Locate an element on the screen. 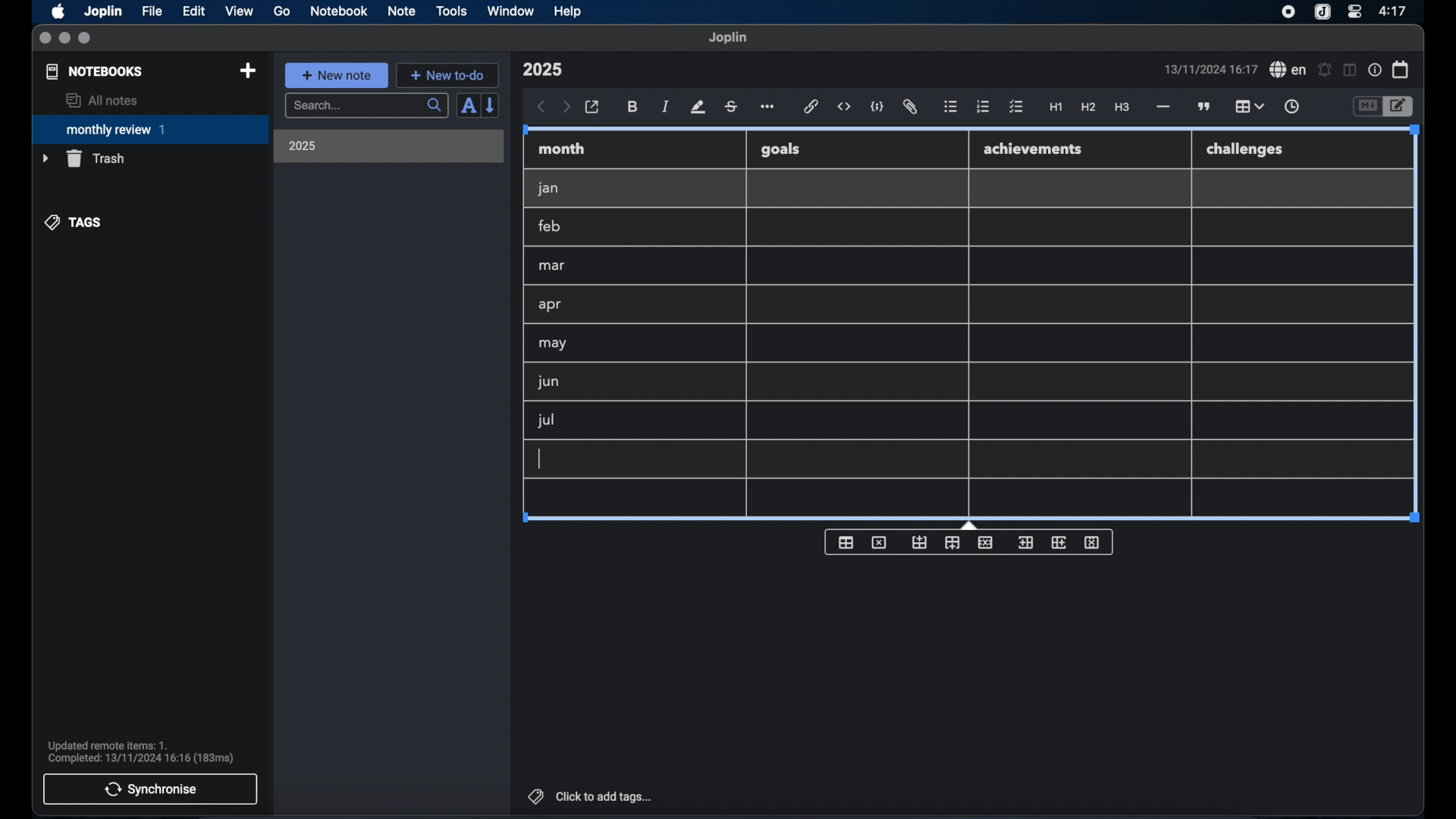 The image size is (1456, 819). feb is located at coordinates (551, 226).